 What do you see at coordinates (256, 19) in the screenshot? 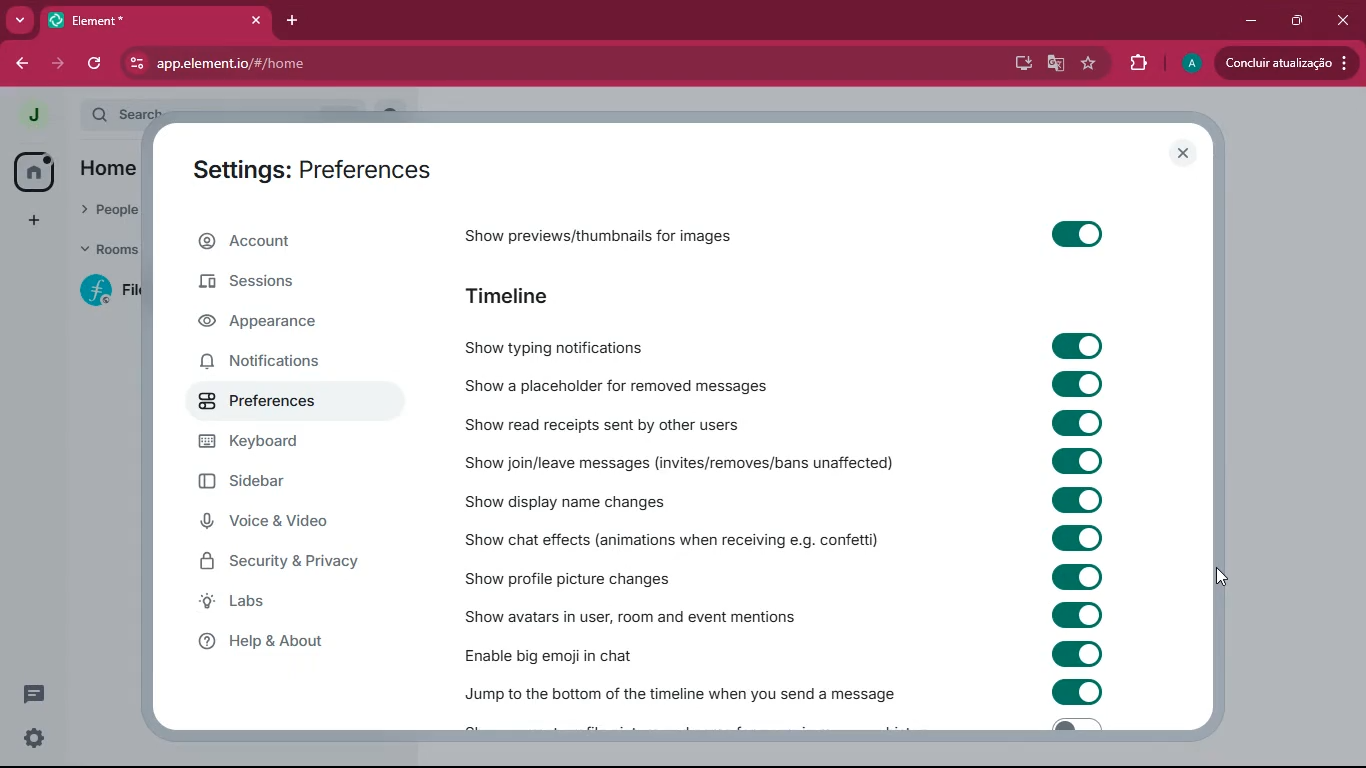
I see `close` at bounding box center [256, 19].